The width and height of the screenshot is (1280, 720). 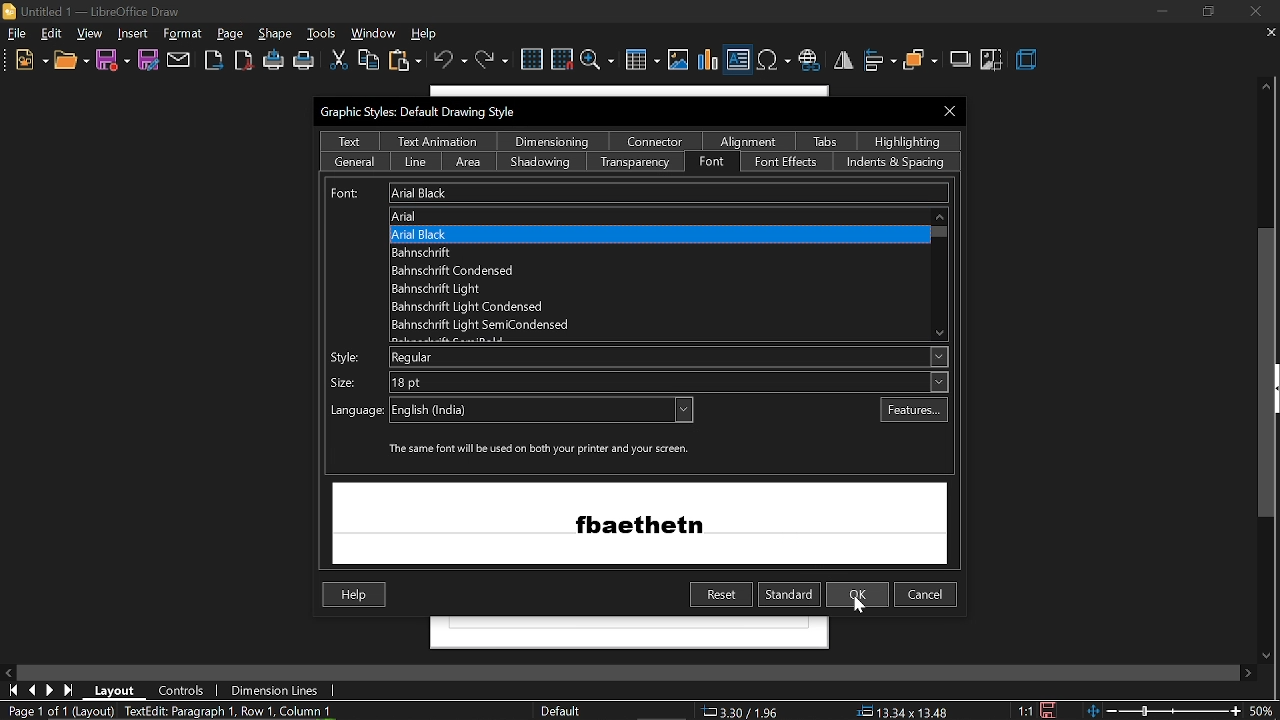 I want to click on paste, so click(x=404, y=62).